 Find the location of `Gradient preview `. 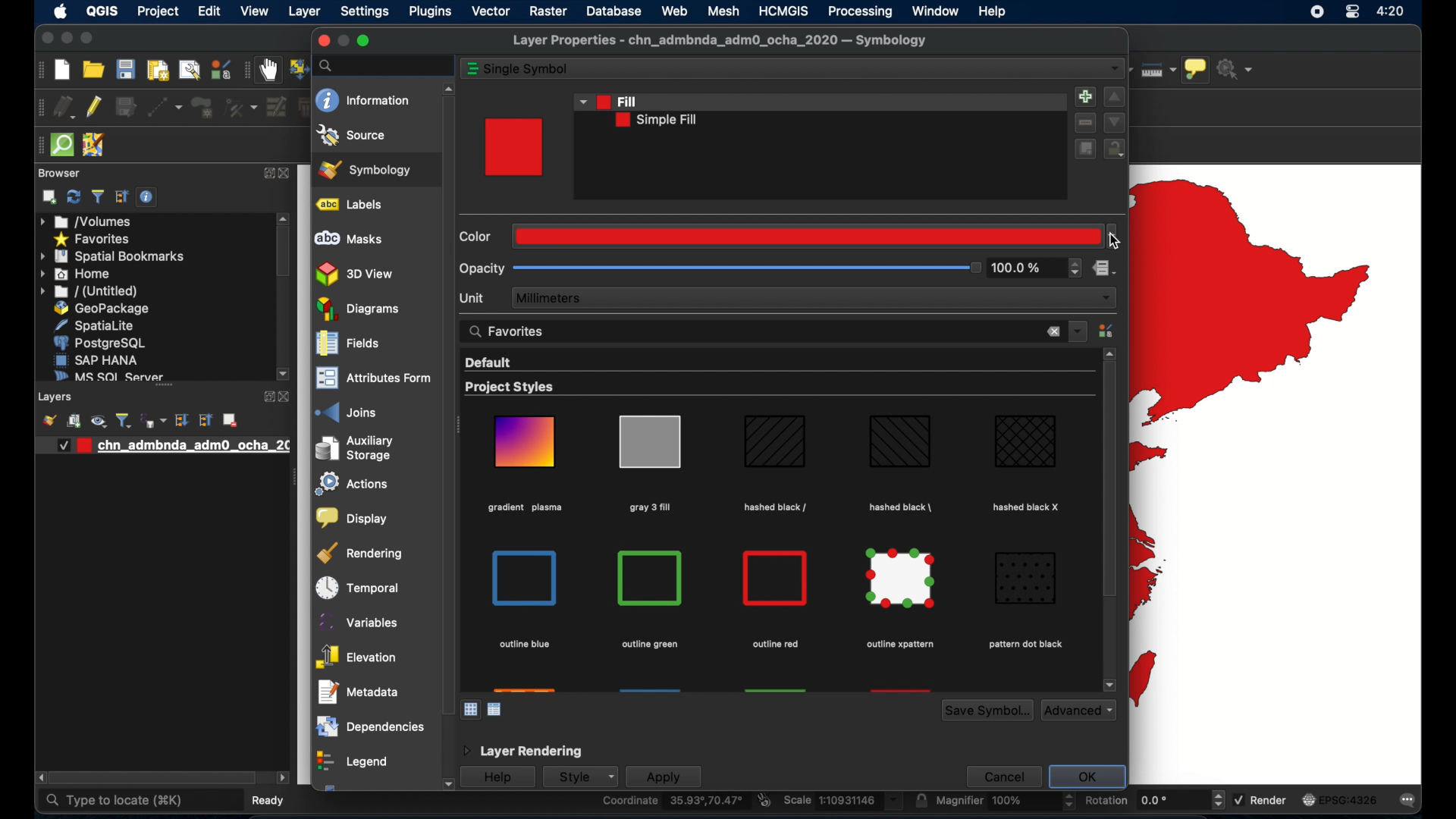

Gradient preview  is located at coordinates (649, 441).